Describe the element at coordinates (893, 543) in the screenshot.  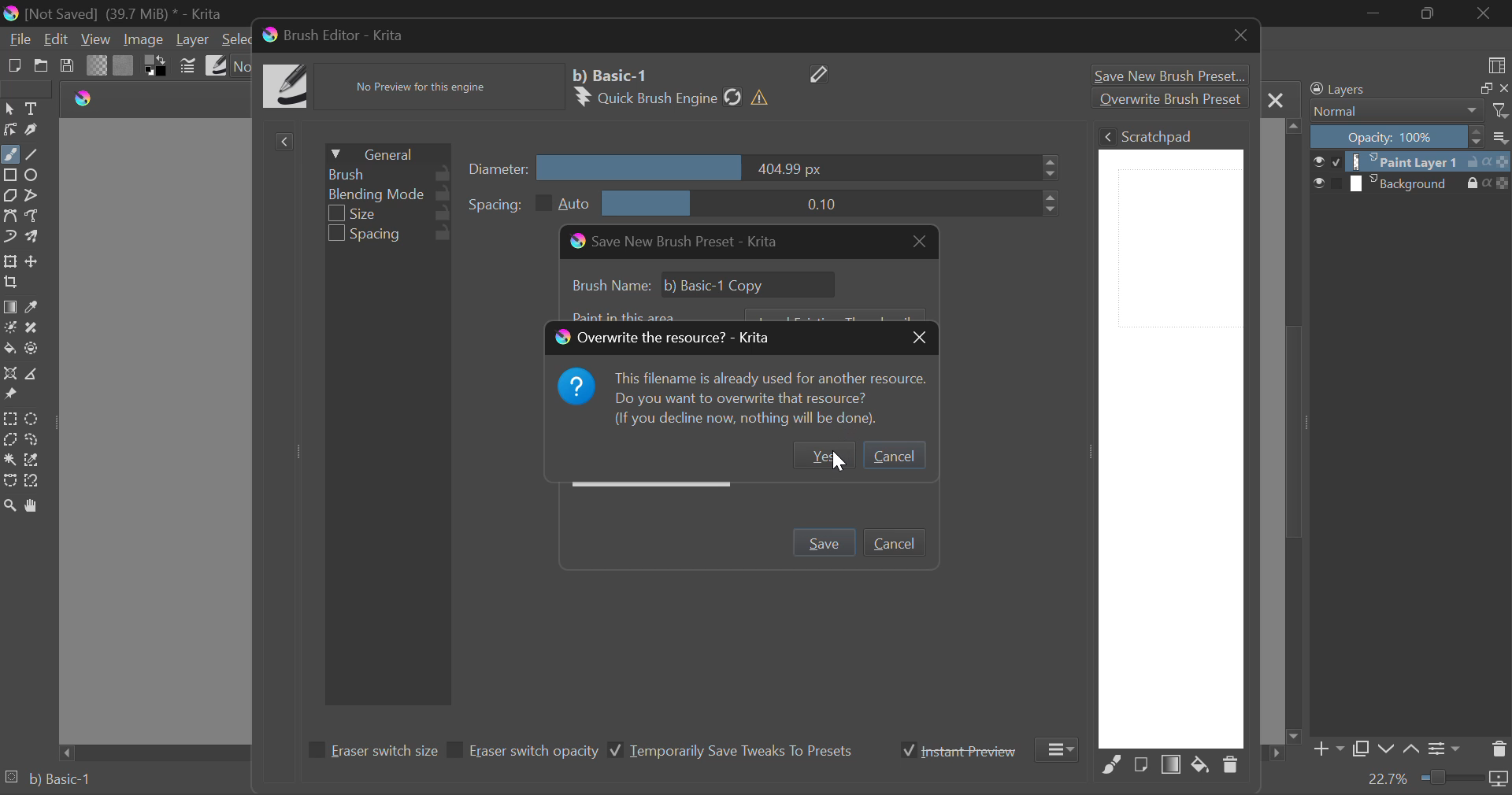
I see `Cancel` at that location.